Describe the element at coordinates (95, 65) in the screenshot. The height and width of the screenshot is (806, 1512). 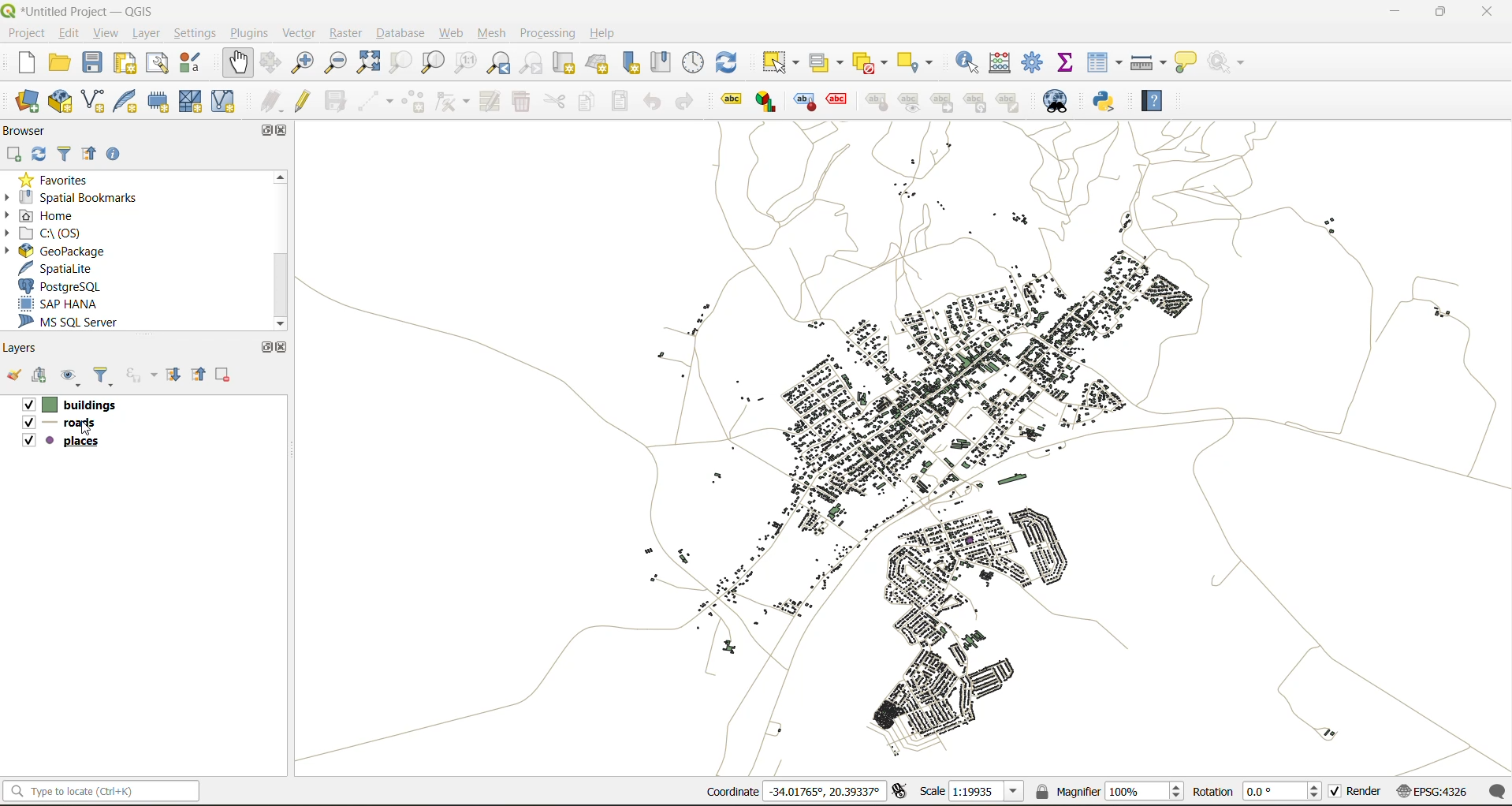
I see `save` at that location.